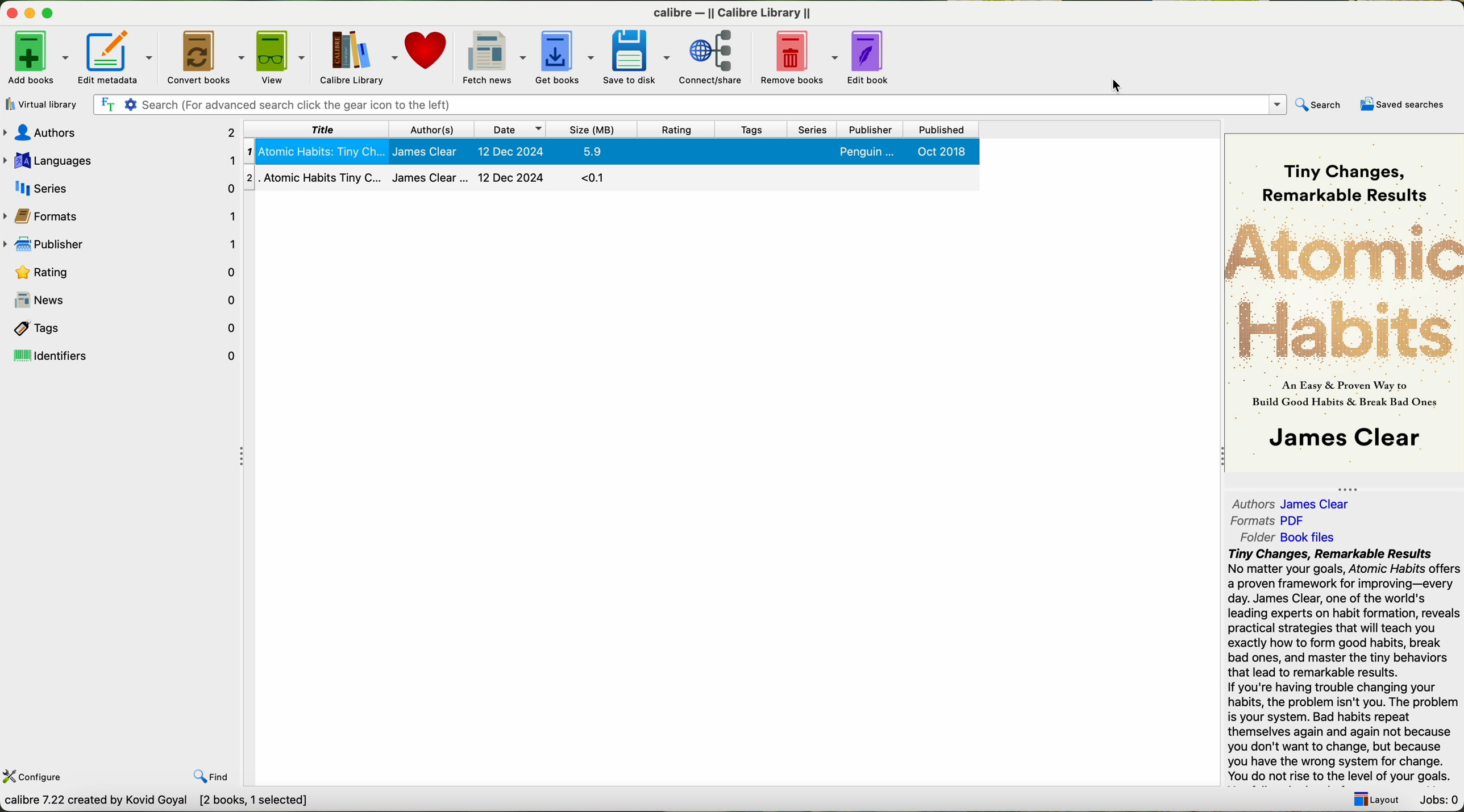 This screenshot has height=812, width=1464. Describe the element at coordinates (1375, 801) in the screenshot. I see `layout` at that location.